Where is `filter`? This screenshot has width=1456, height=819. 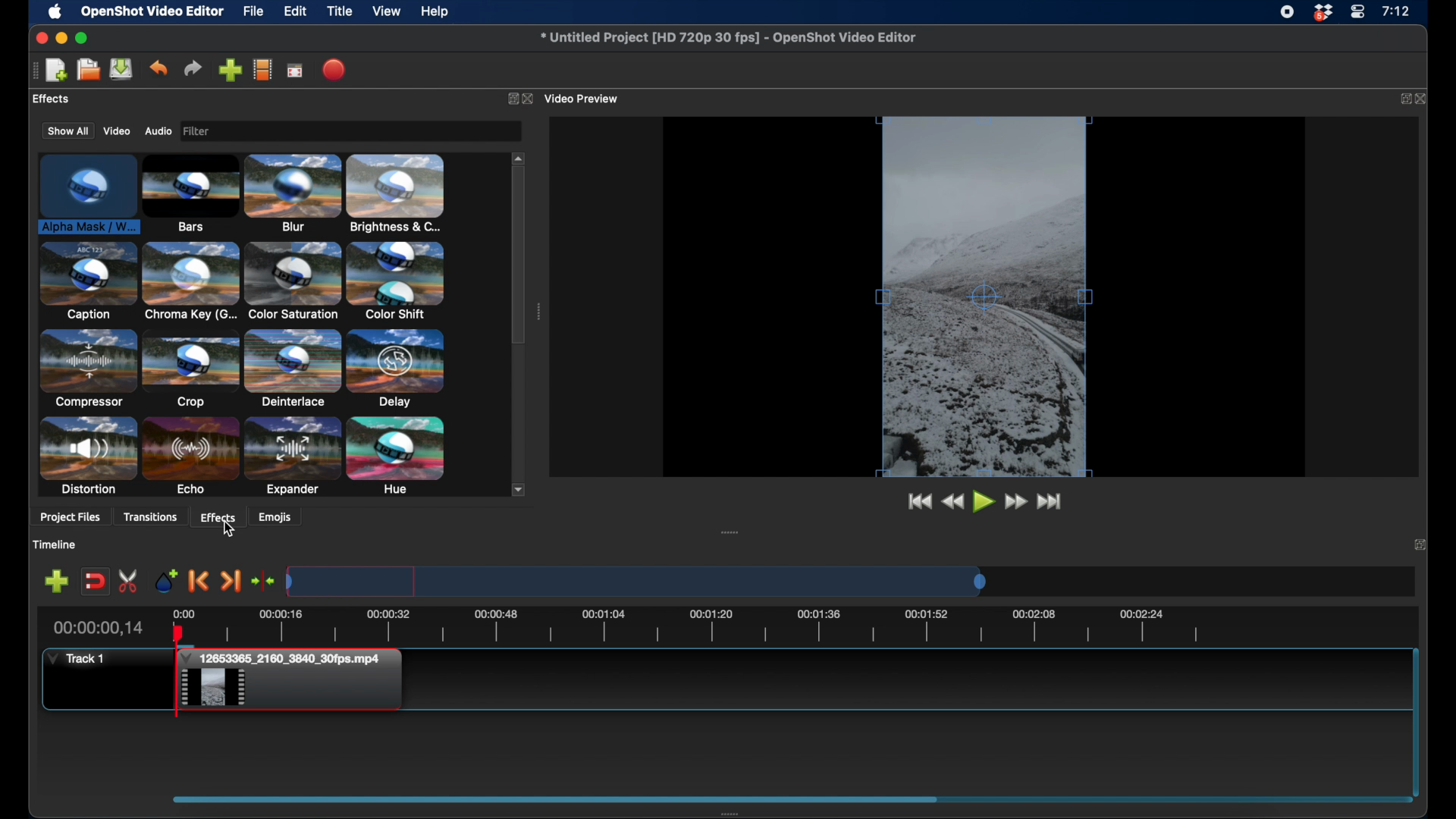 filter is located at coordinates (243, 131).